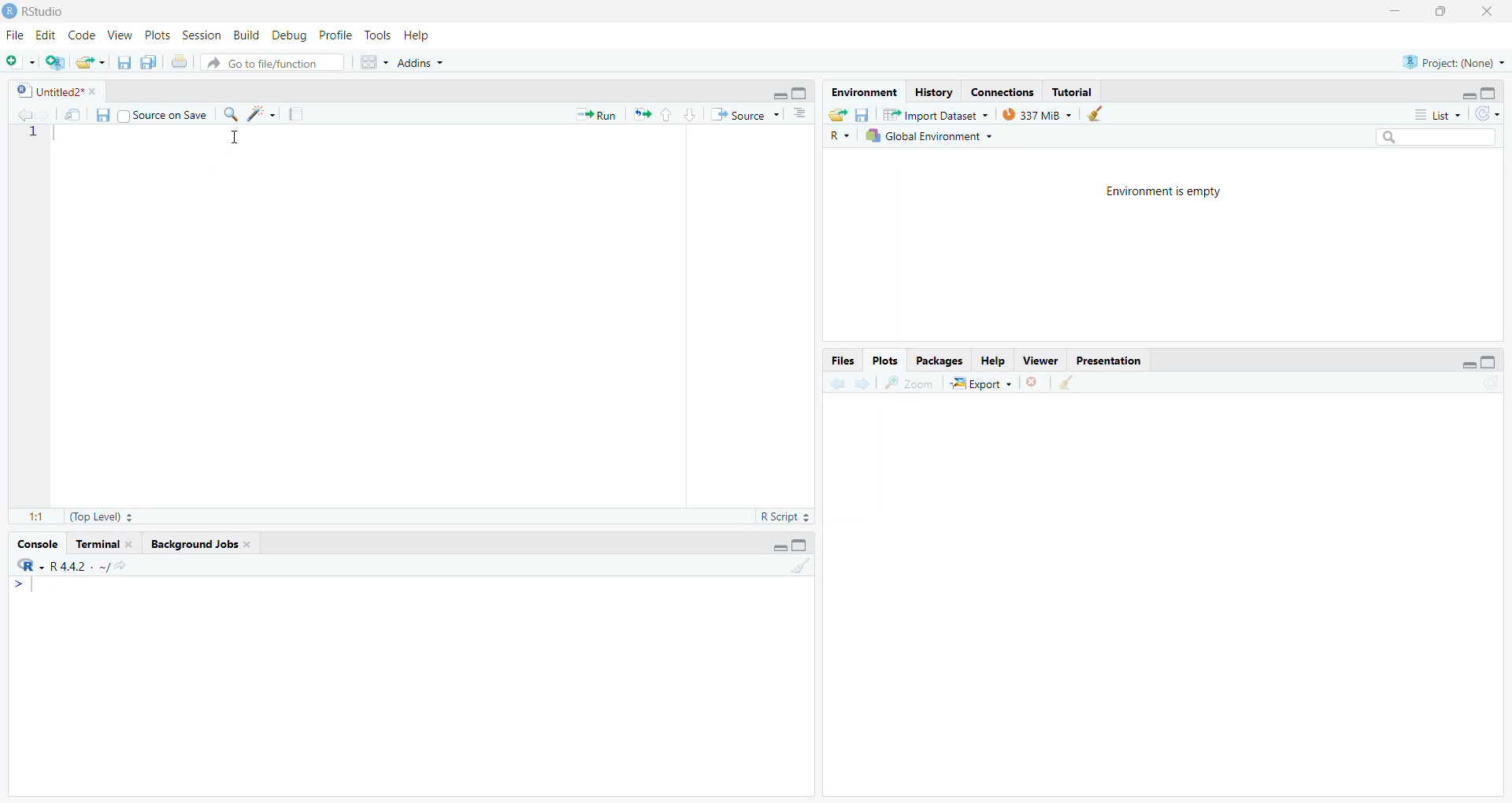 The height and width of the screenshot is (803, 1512). I want to click on clear all plots, so click(1066, 383).